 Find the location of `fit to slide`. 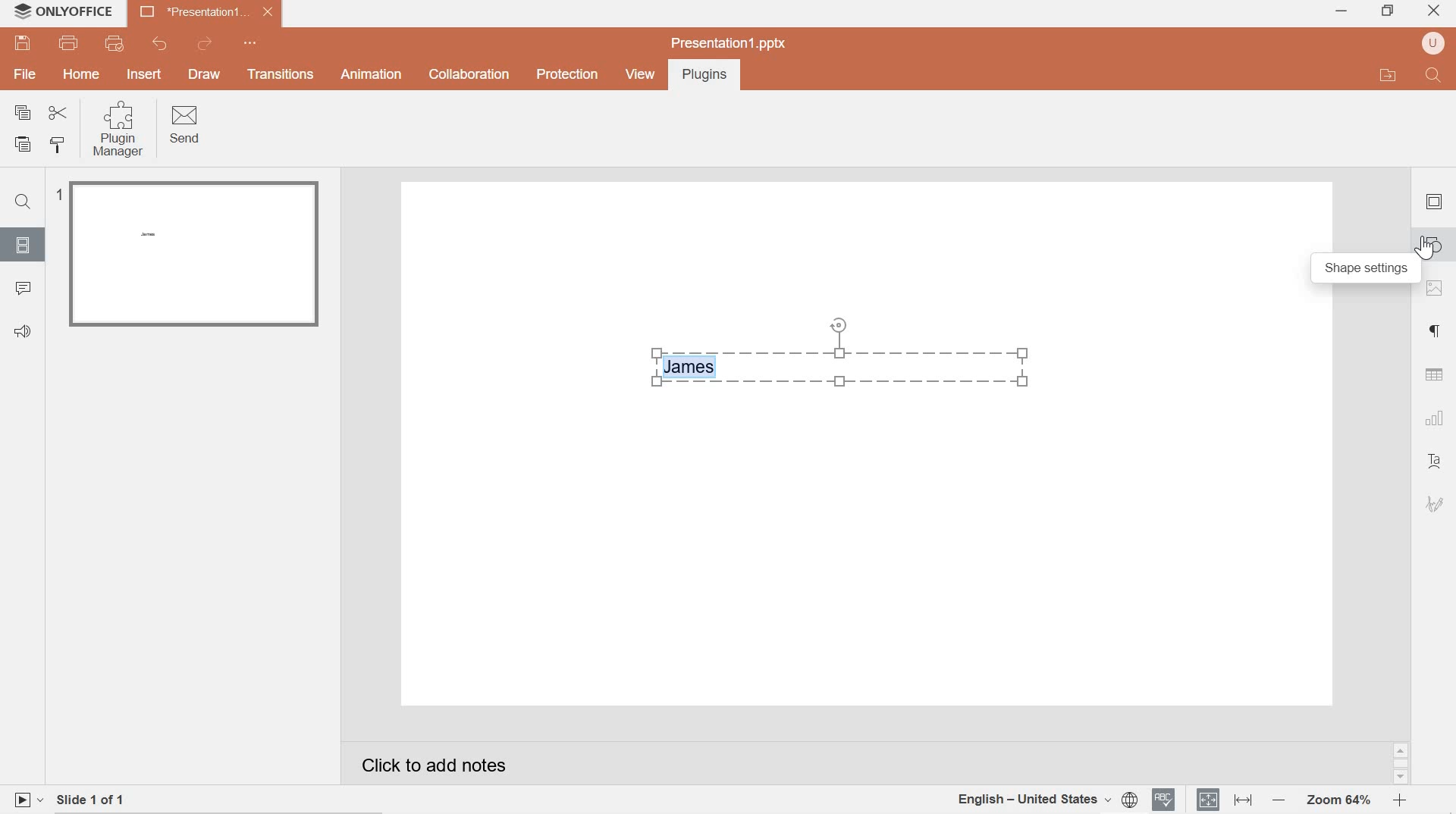

fit to slide is located at coordinates (1208, 800).